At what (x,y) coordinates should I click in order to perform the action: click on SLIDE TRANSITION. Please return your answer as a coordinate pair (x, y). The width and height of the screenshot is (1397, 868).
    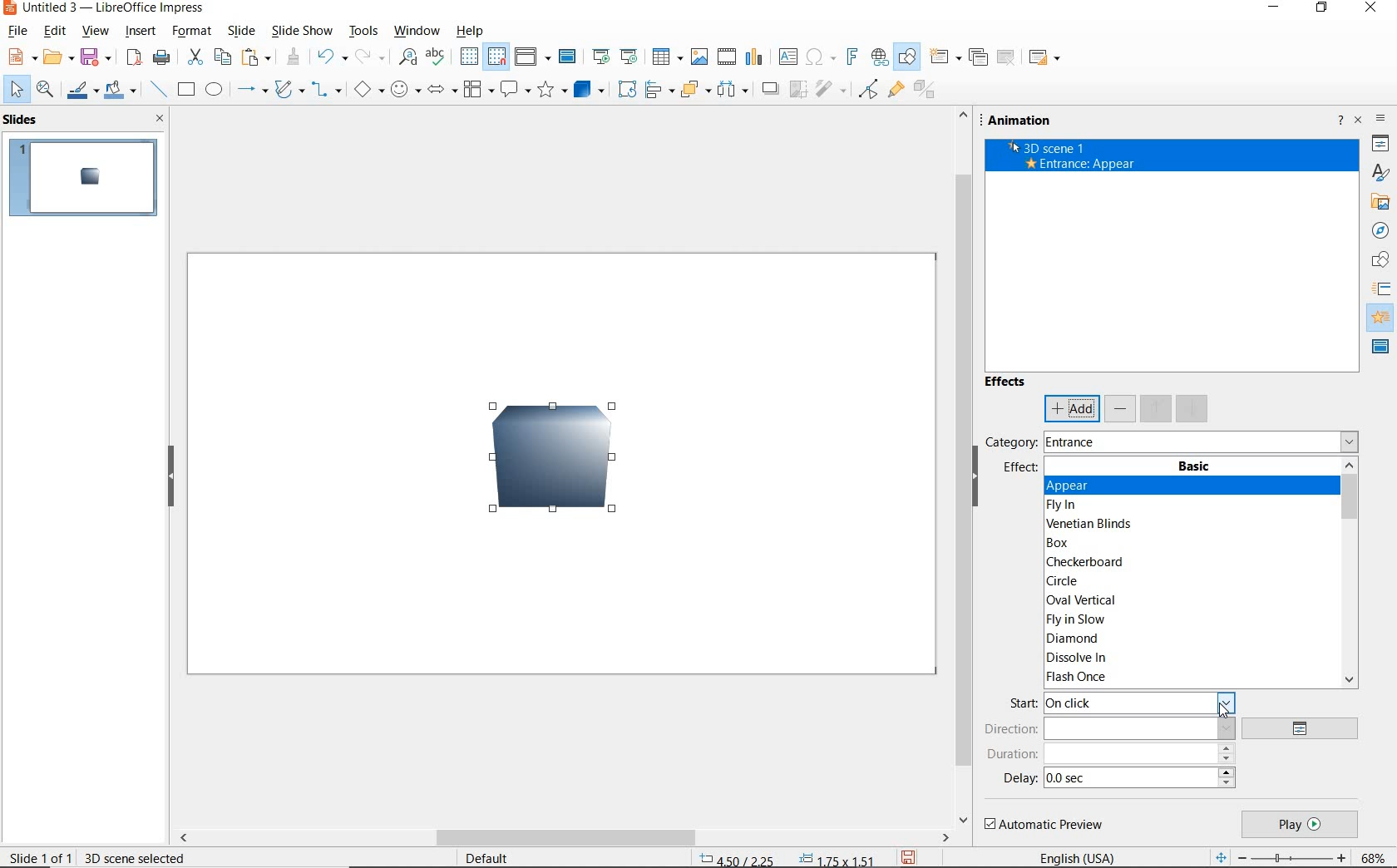
    Looking at the image, I should click on (1382, 289).